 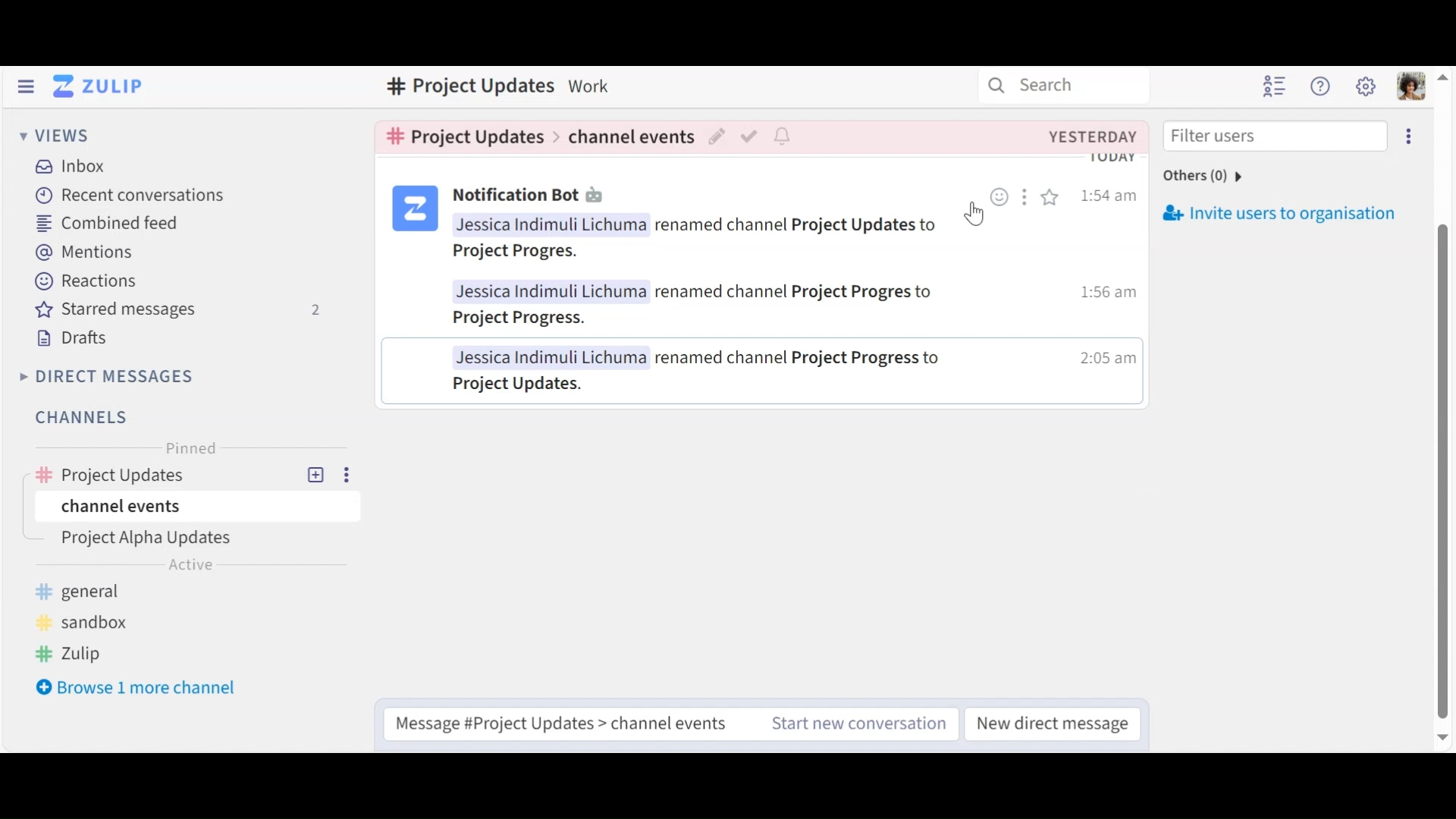 What do you see at coordinates (58, 138) in the screenshot?
I see `Views` at bounding box center [58, 138].